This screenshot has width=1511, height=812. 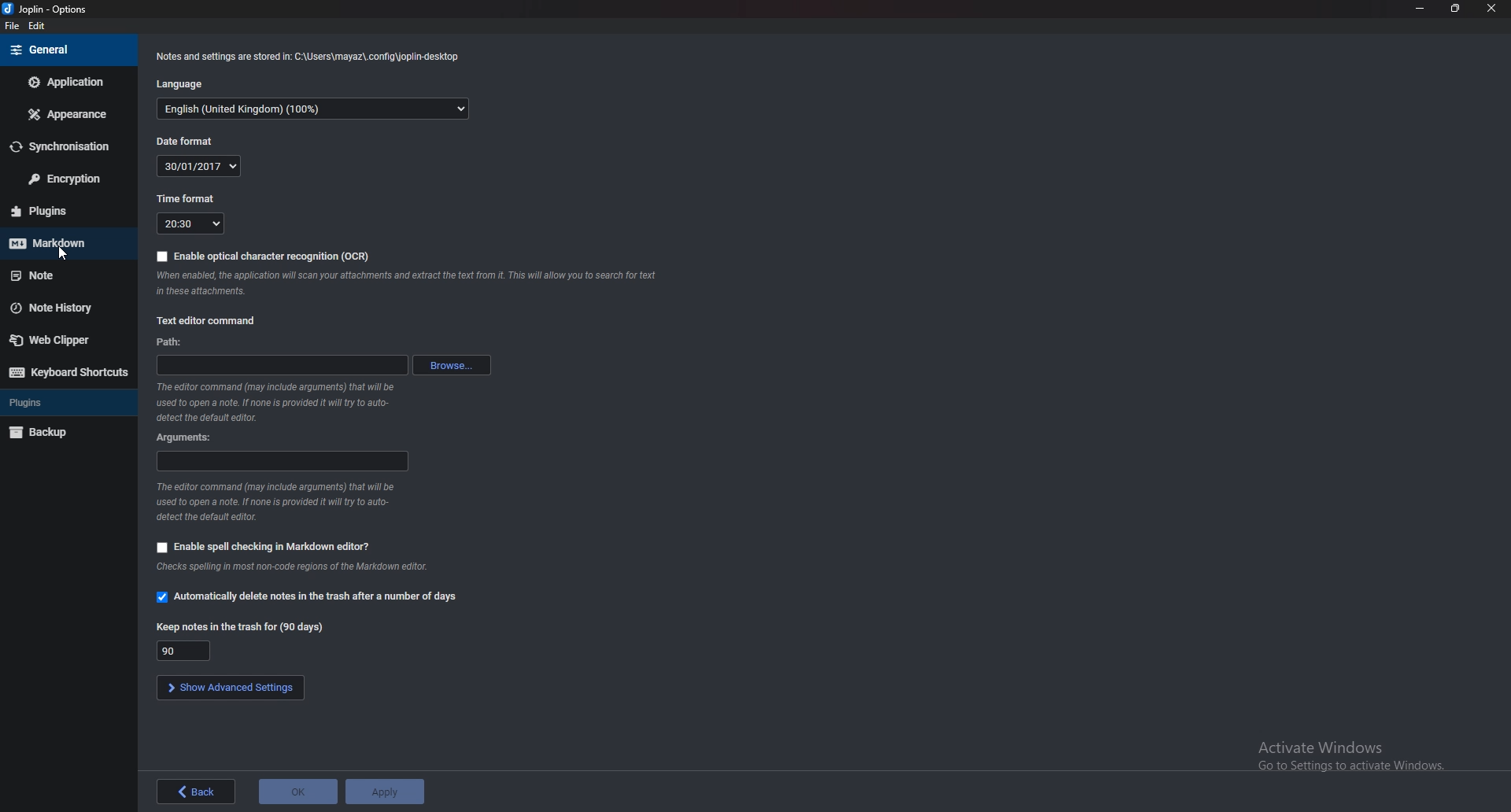 I want to click on Keep notes in the trash for, so click(x=246, y=628).